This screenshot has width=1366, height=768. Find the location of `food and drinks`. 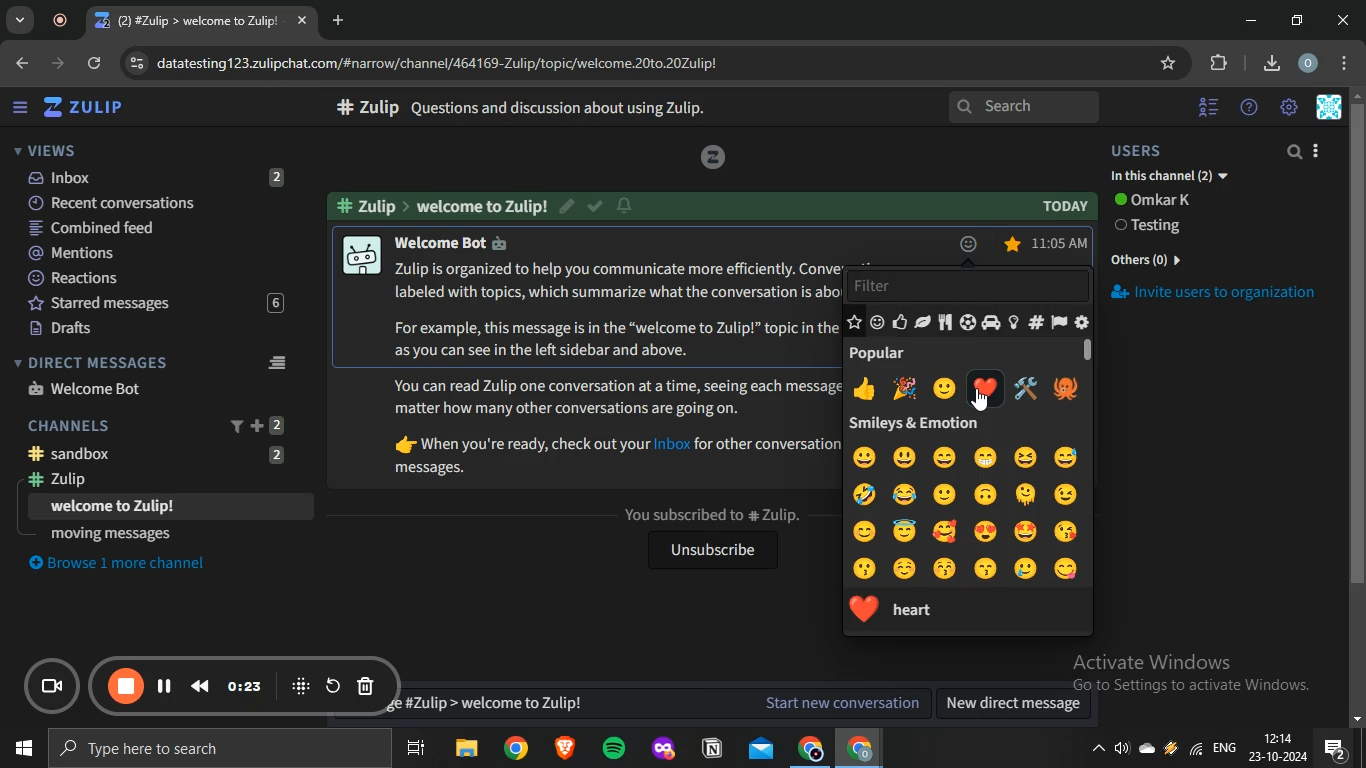

food and drinks is located at coordinates (946, 323).